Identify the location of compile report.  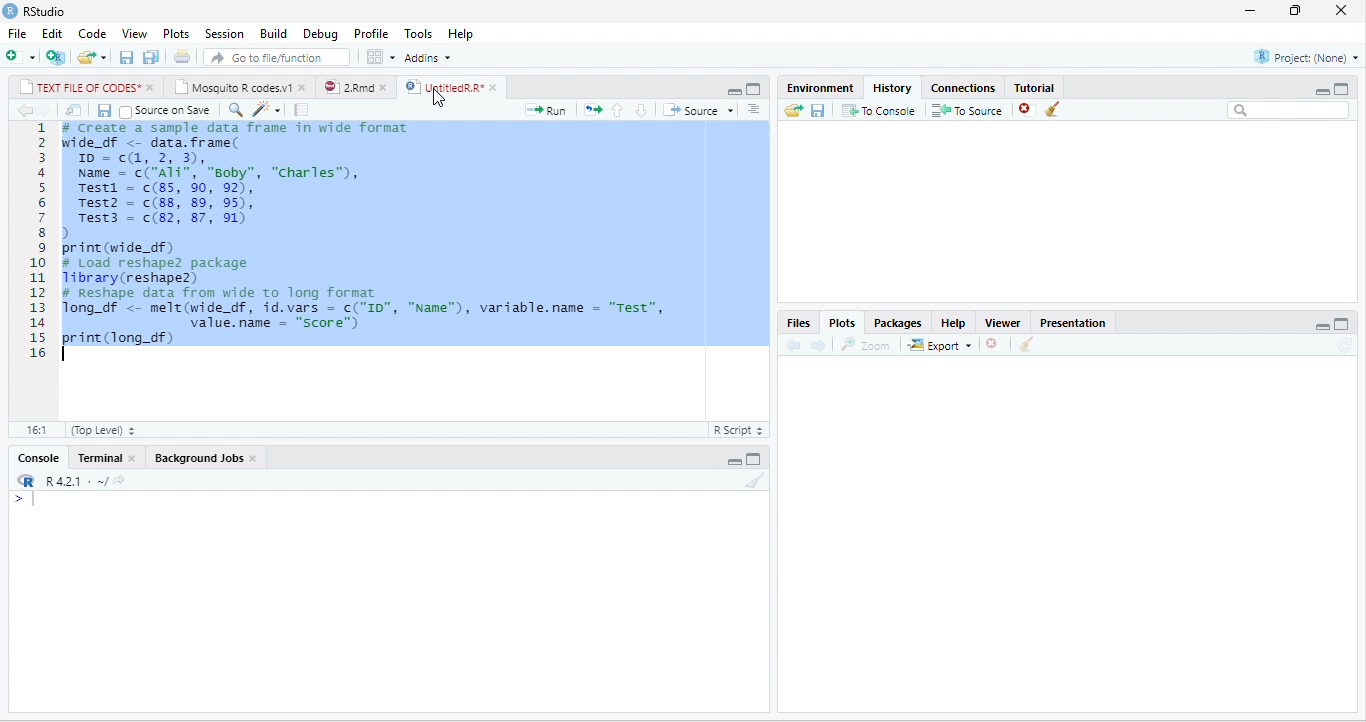
(301, 109).